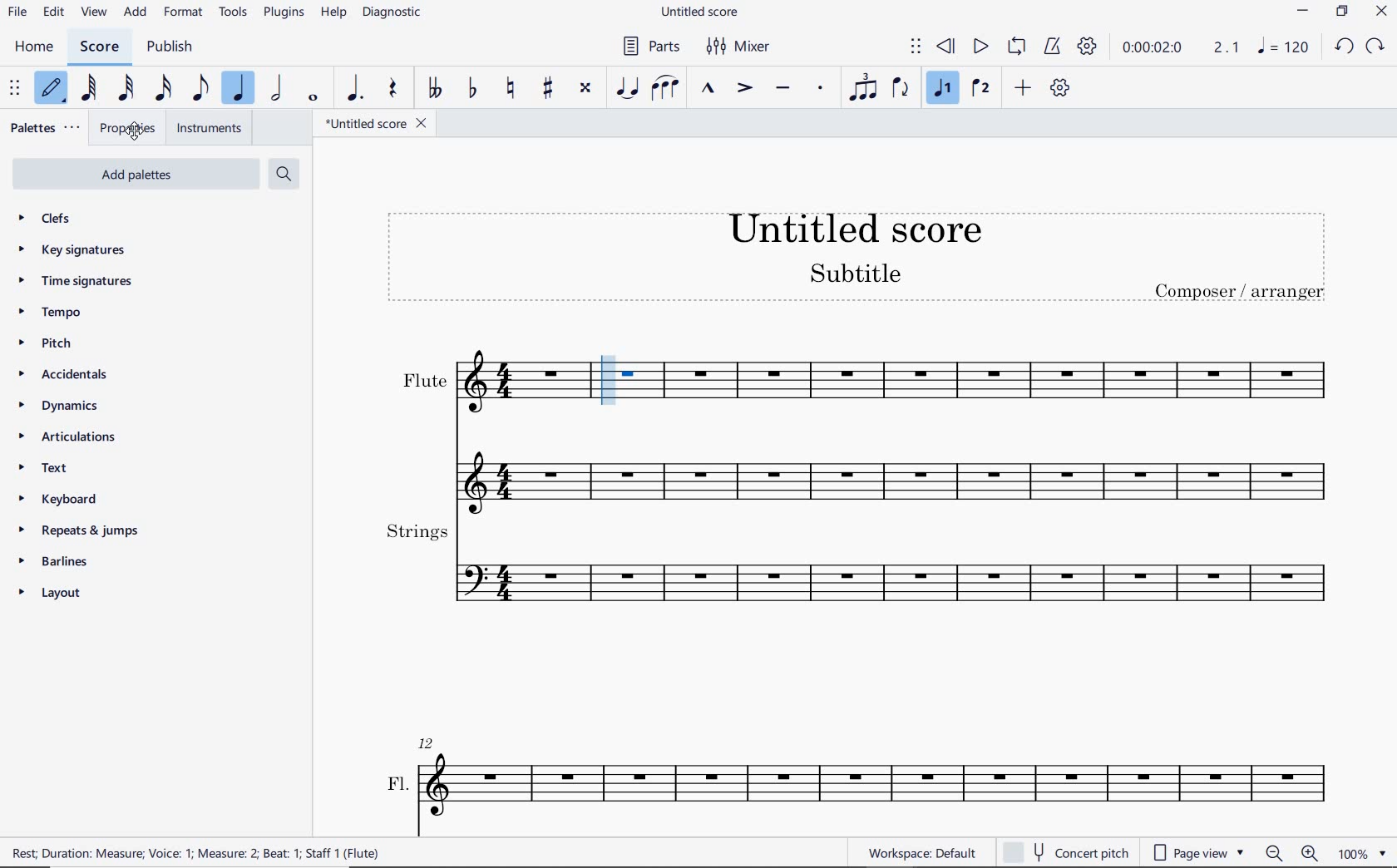  What do you see at coordinates (76, 530) in the screenshot?
I see `repeats & jumps` at bounding box center [76, 530].